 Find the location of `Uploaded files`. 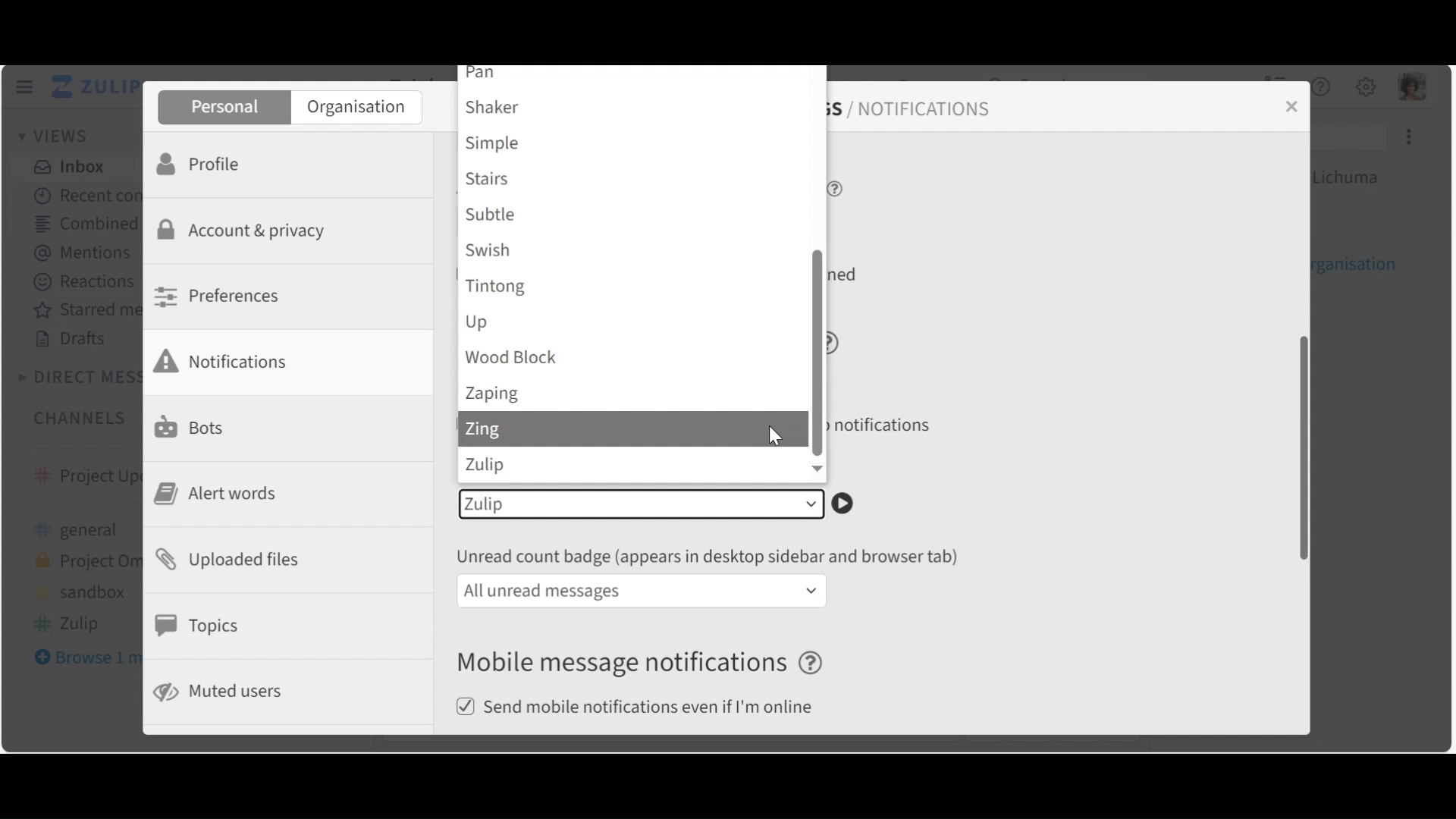

Uploaded files is located at coordinates (235, 558).